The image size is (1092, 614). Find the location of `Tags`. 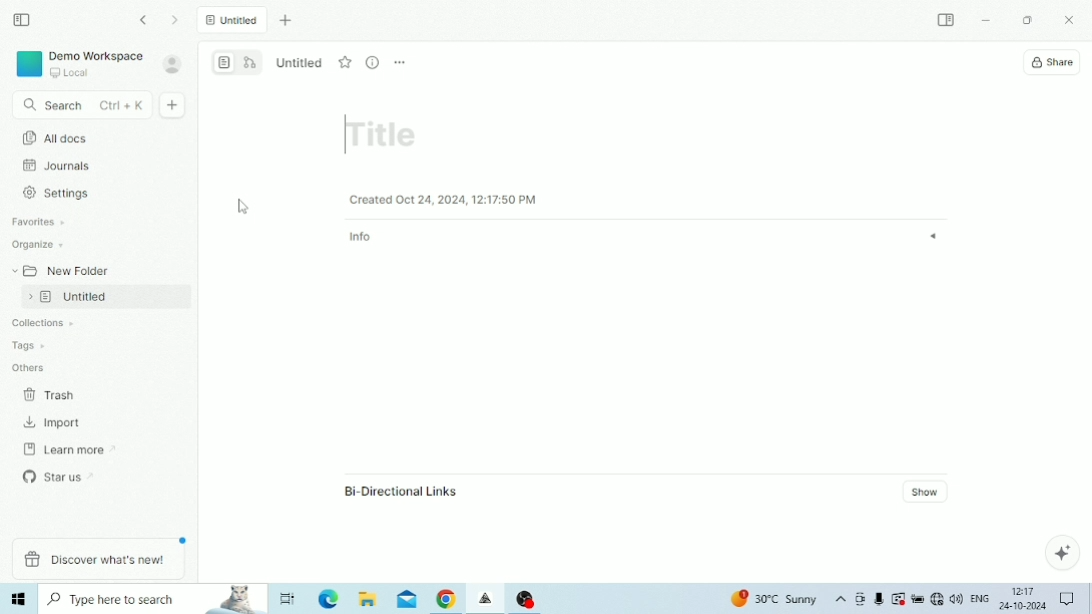

Tags is located at coordinates (27, 343).